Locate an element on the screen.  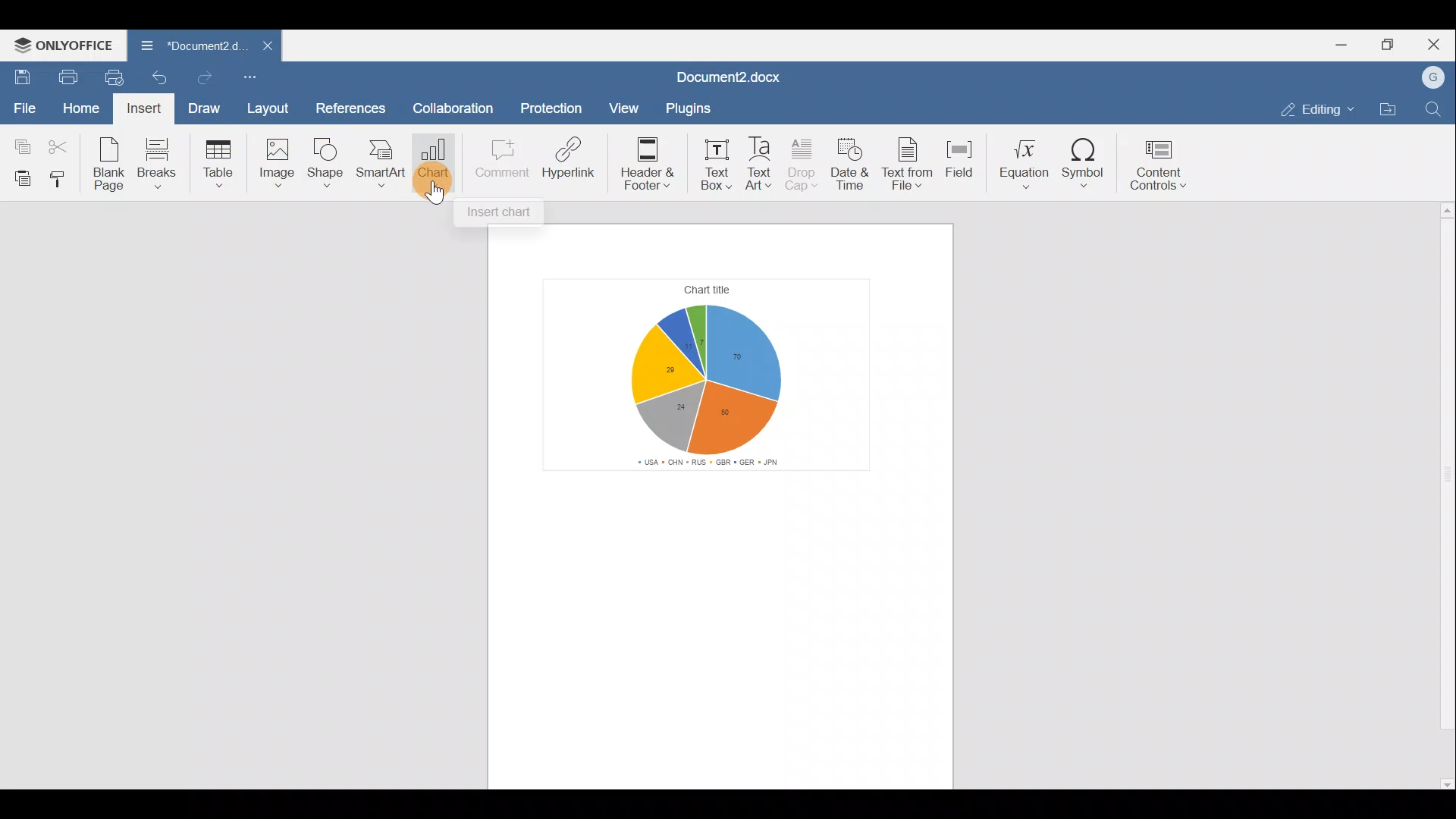
Pie Chart is located at coordinates (717, 375).